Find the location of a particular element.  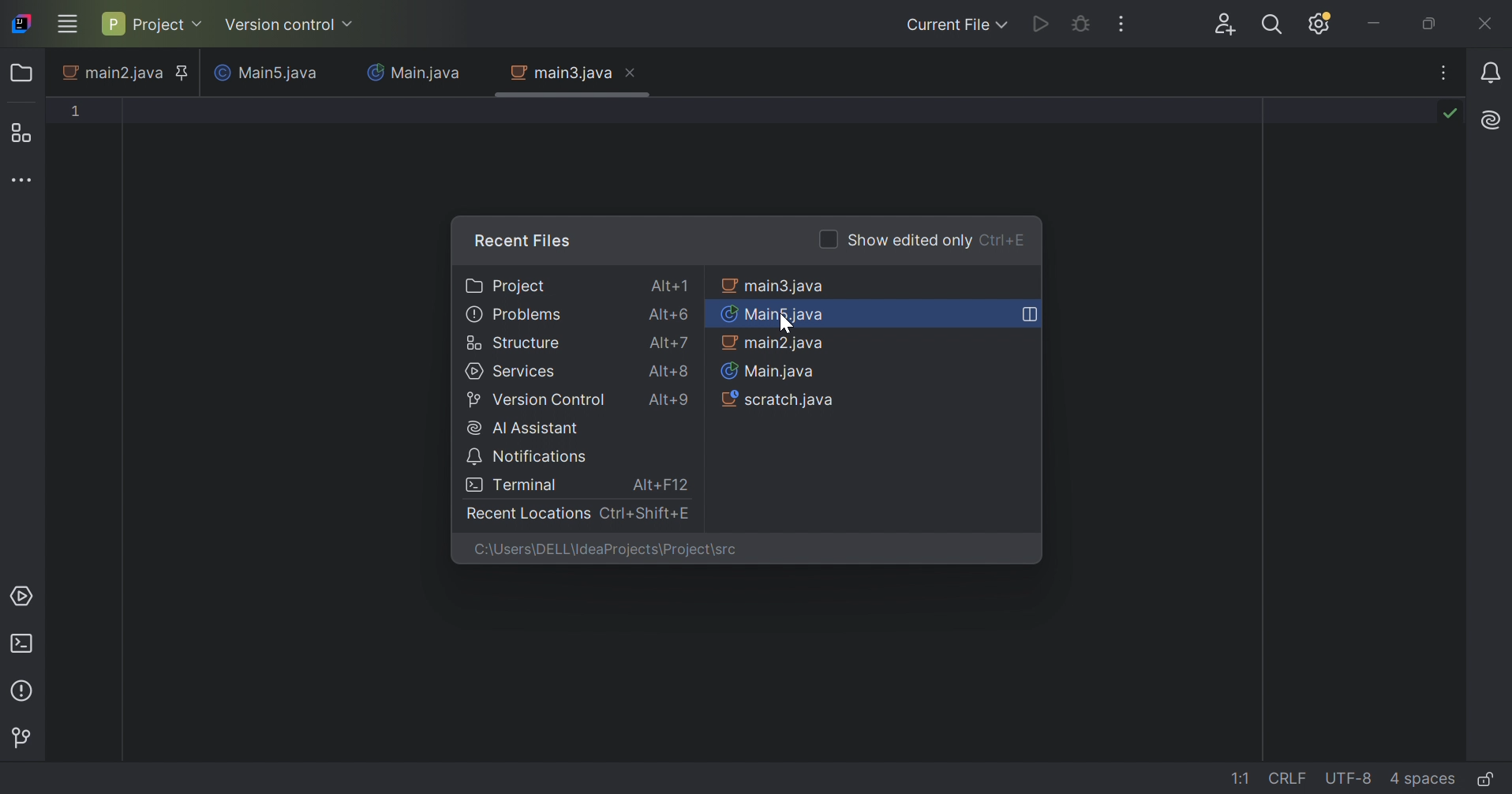

Minimize is located at coordinates (1373, 23).